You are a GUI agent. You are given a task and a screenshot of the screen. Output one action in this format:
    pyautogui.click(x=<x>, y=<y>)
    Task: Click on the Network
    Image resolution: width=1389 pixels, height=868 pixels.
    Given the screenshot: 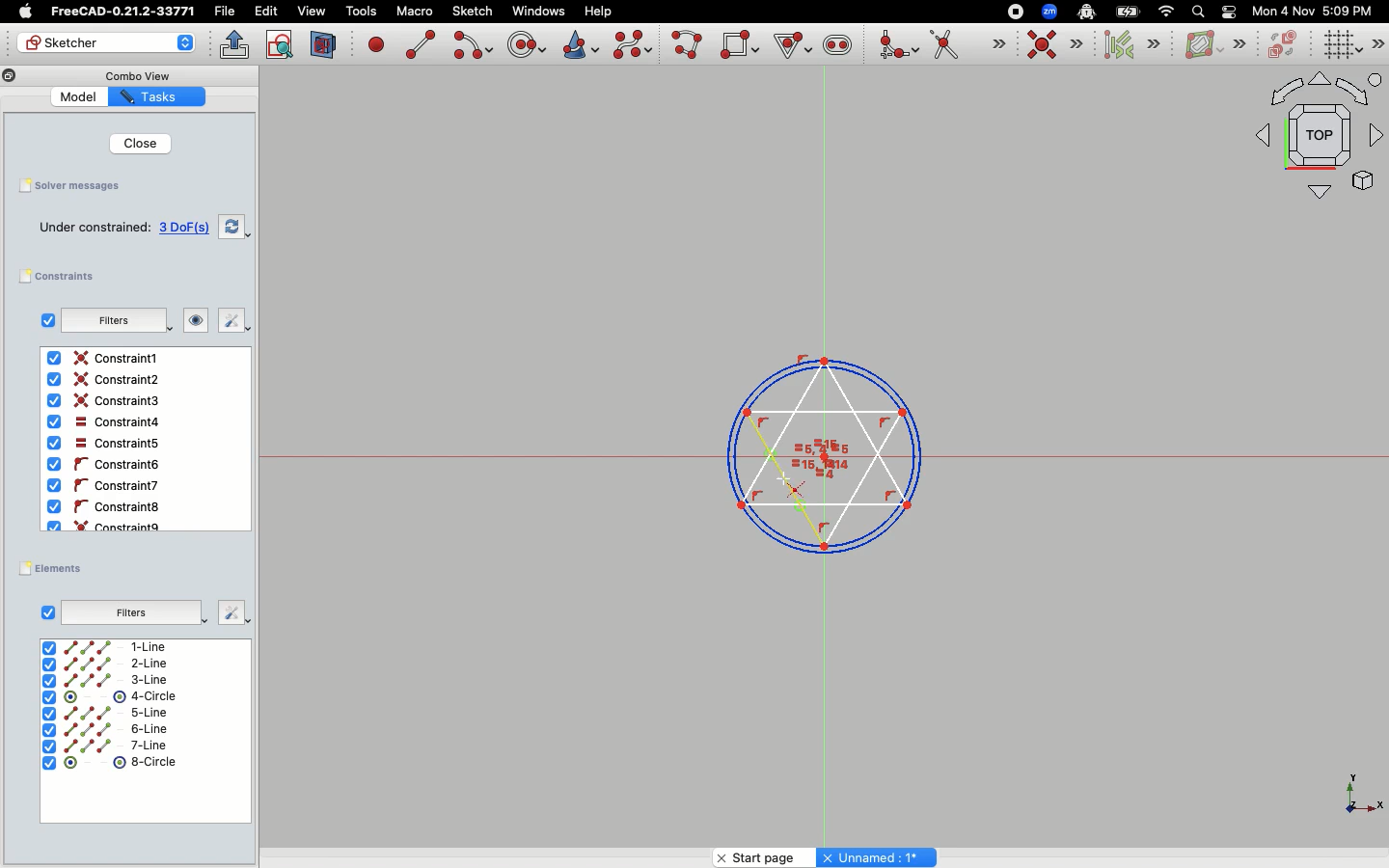 What is the action you would take?
    pyautogui.click(x=1167, y=12)
    